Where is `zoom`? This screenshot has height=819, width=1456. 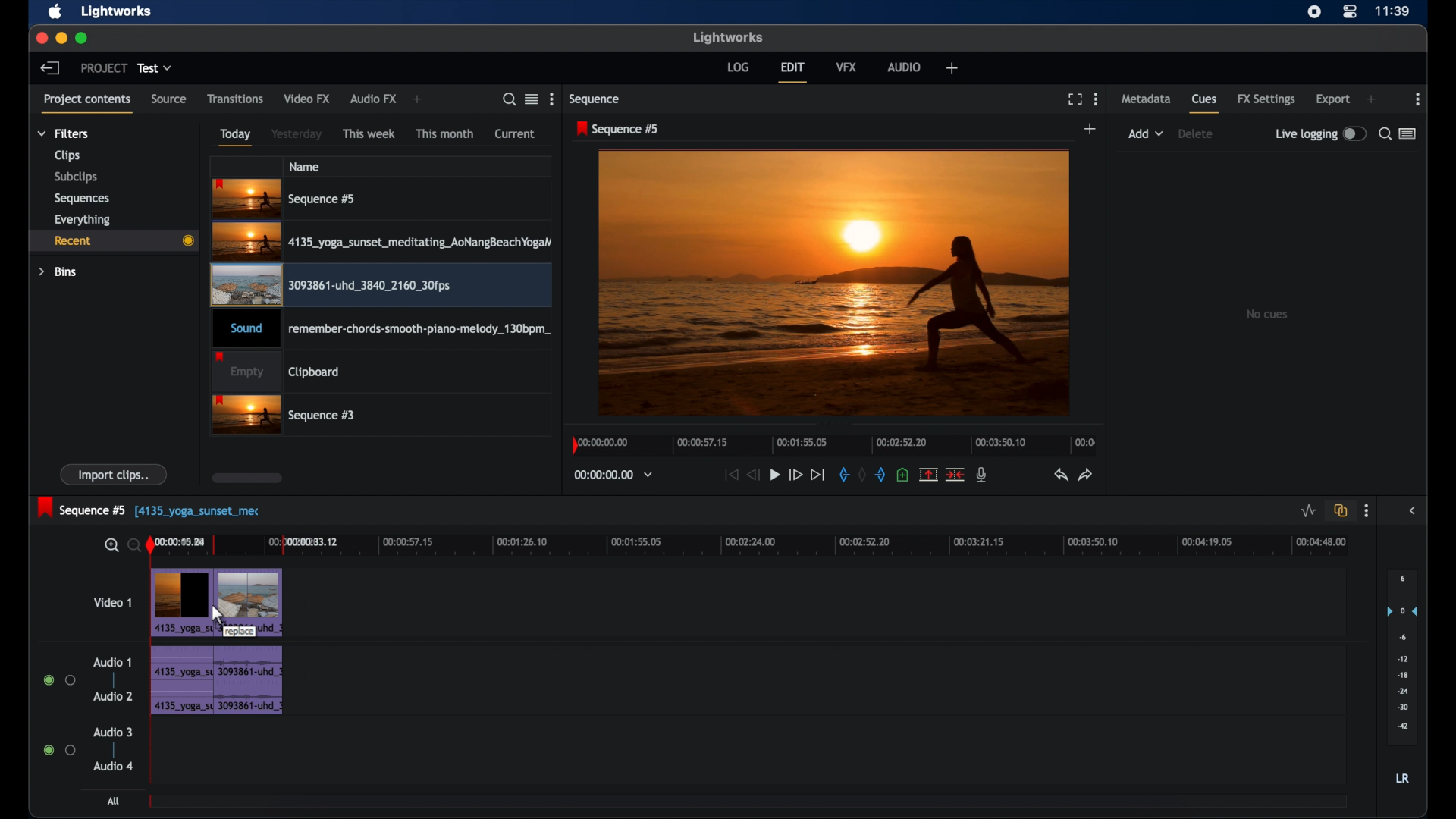
zoom is located at coordinates (120, 546).